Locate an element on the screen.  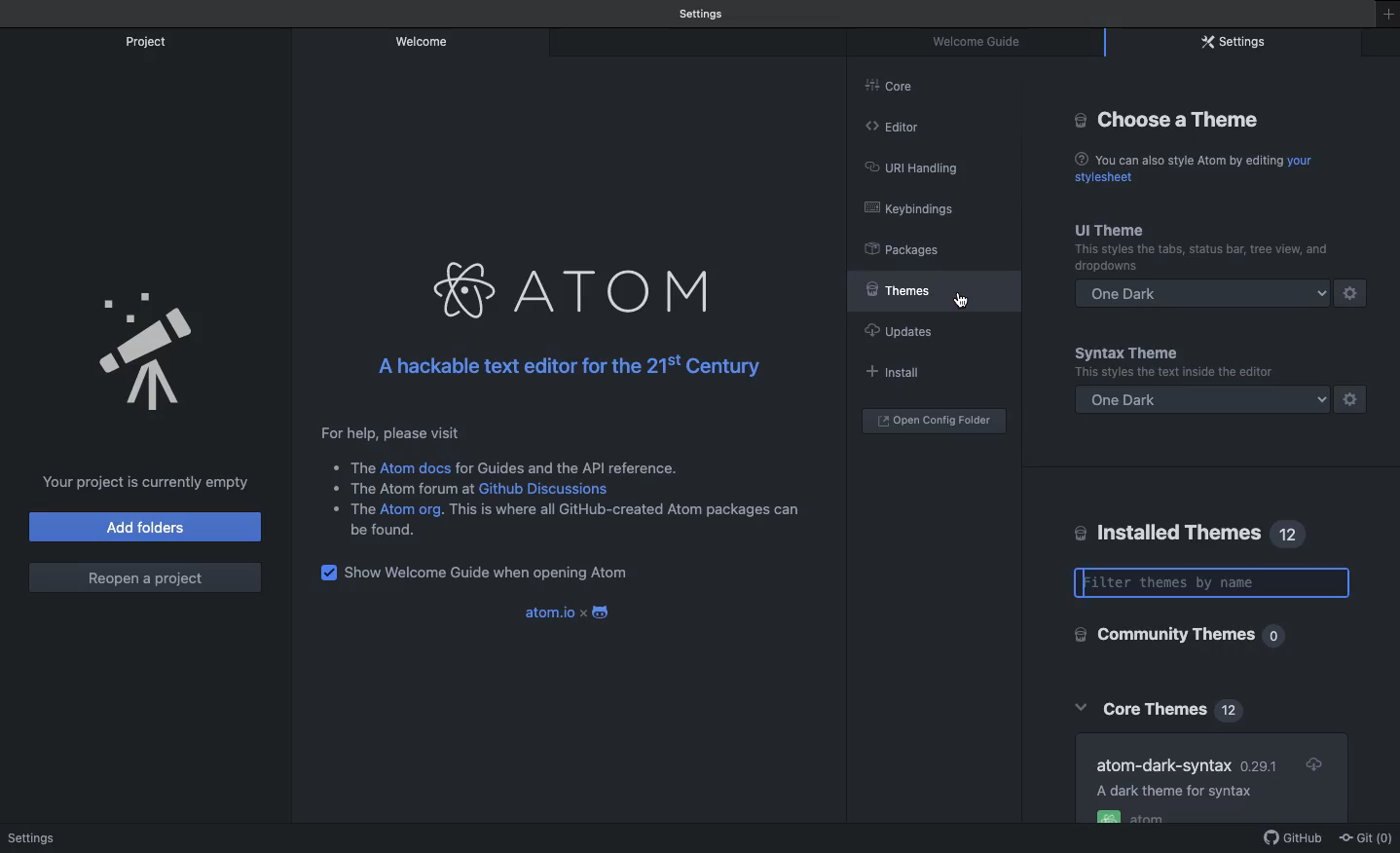
For help, please visit is located at coordinates (390, 431).